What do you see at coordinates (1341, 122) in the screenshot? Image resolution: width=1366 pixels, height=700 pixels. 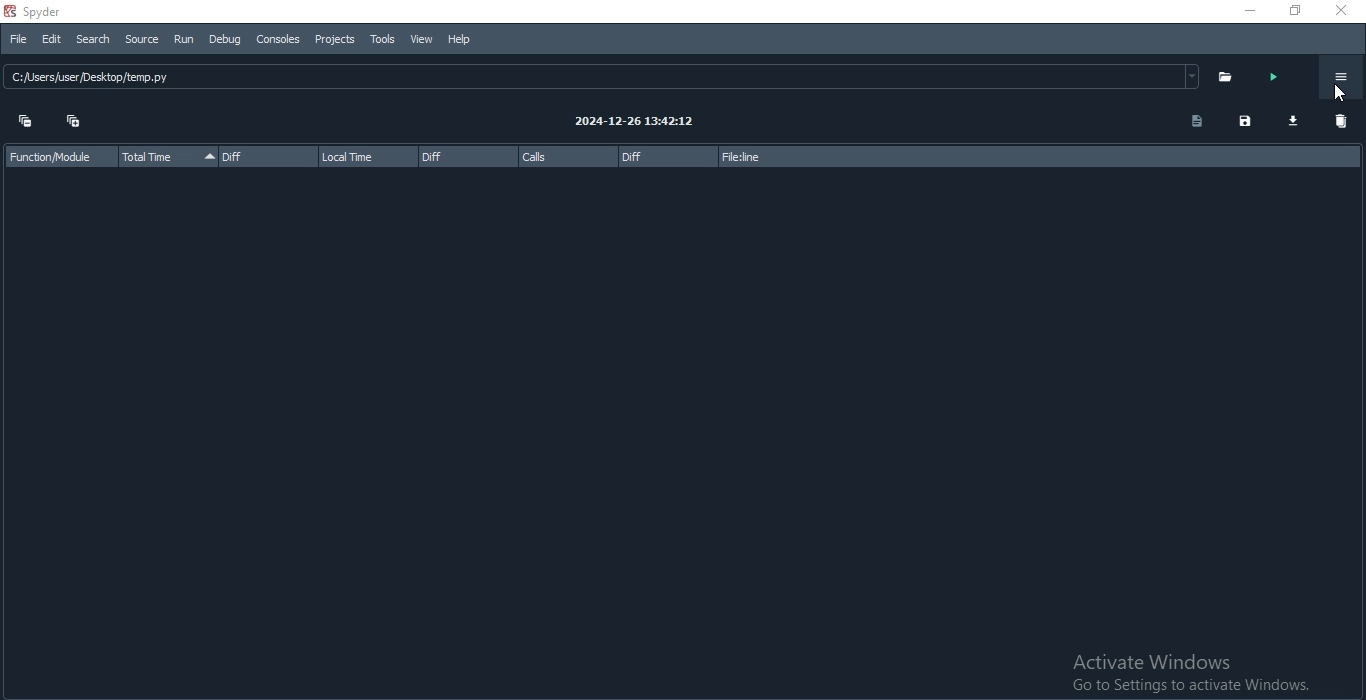 I see `delete all` at bounding box center [1341, 122].